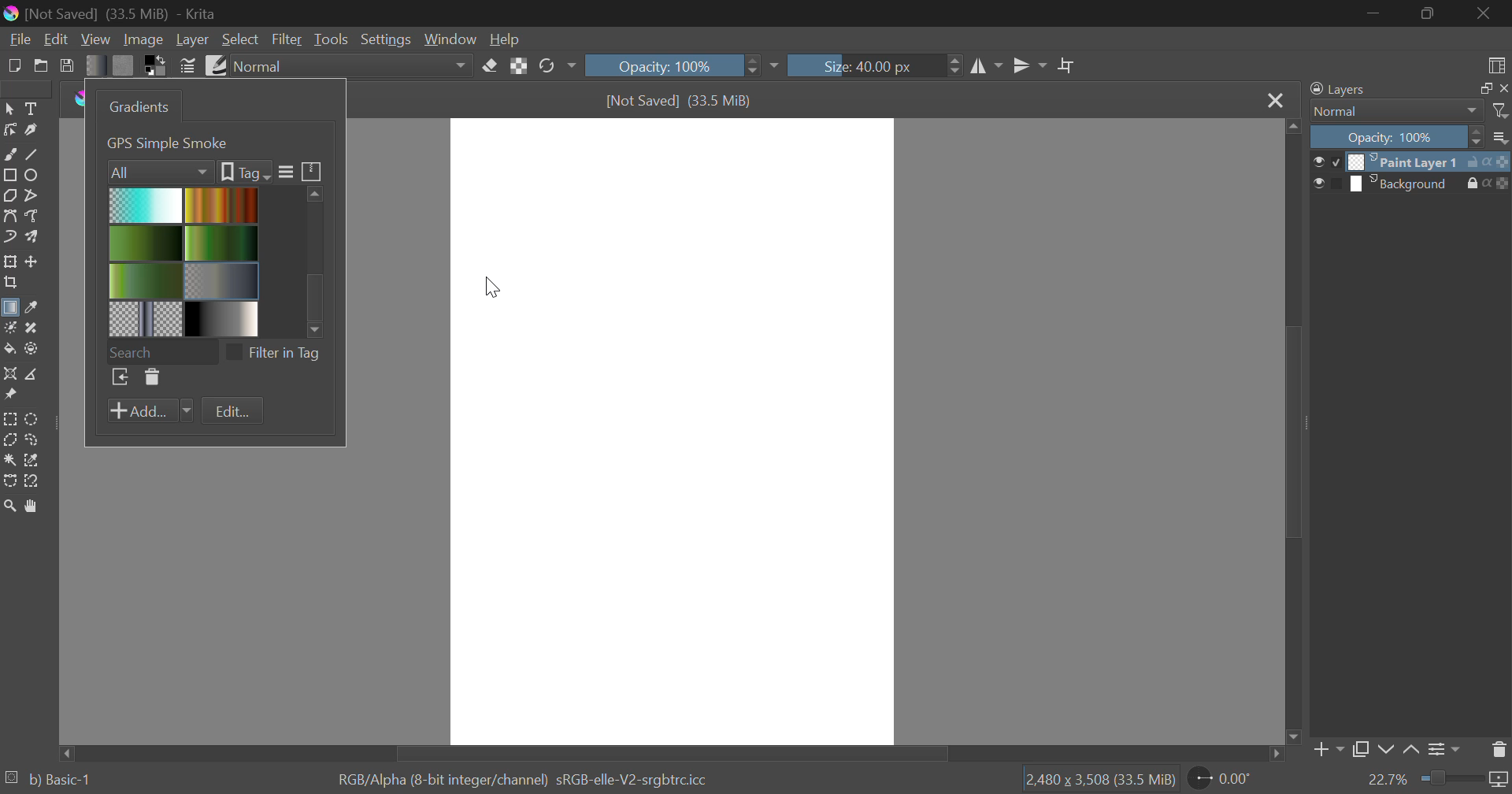  What do you see at coordinates (136, 106) in the screenshot?
I see `Gradients` at bounding box center [136, 106].